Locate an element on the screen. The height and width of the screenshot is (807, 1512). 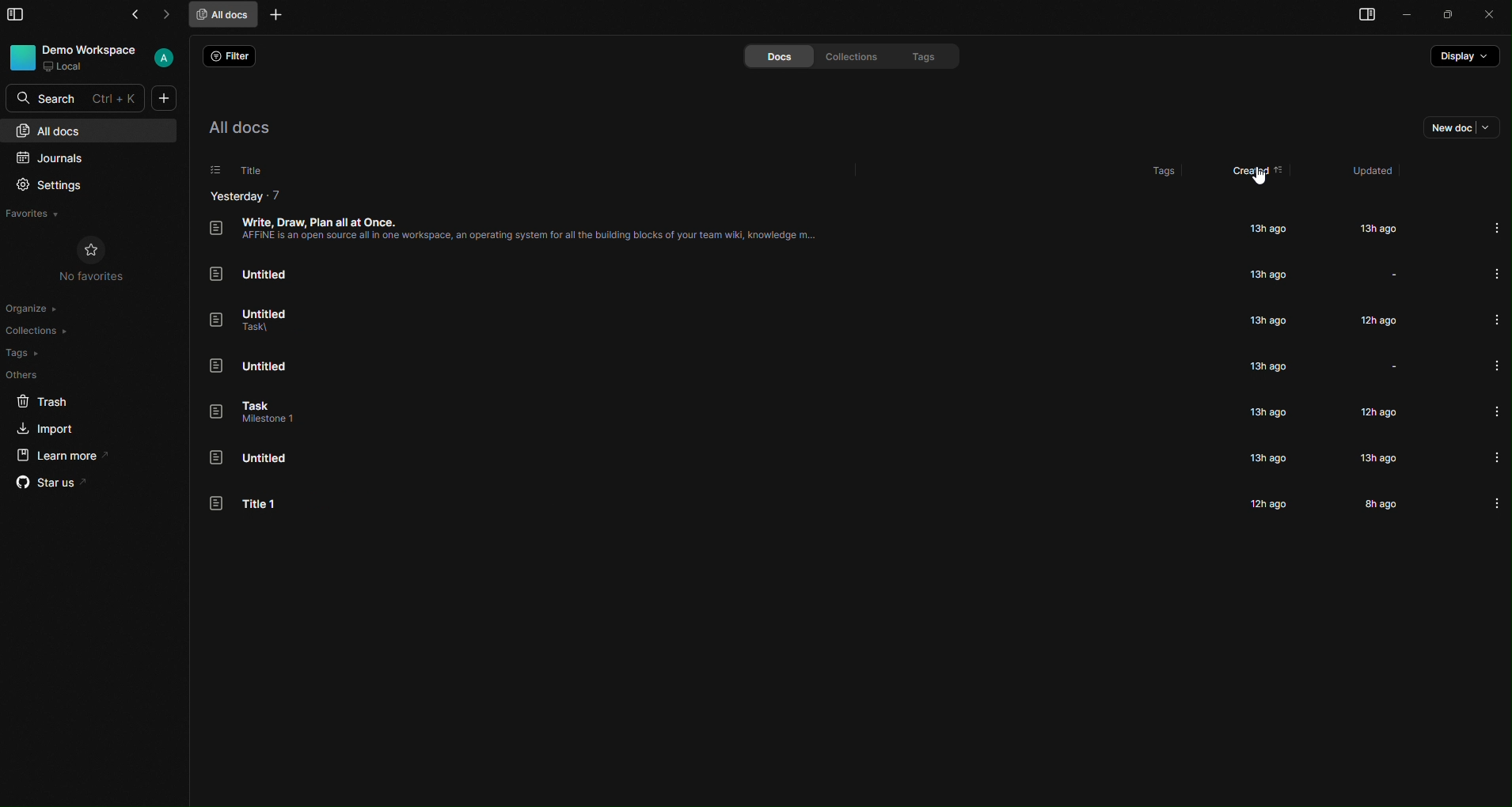
search is located at coordinates (74, 96).